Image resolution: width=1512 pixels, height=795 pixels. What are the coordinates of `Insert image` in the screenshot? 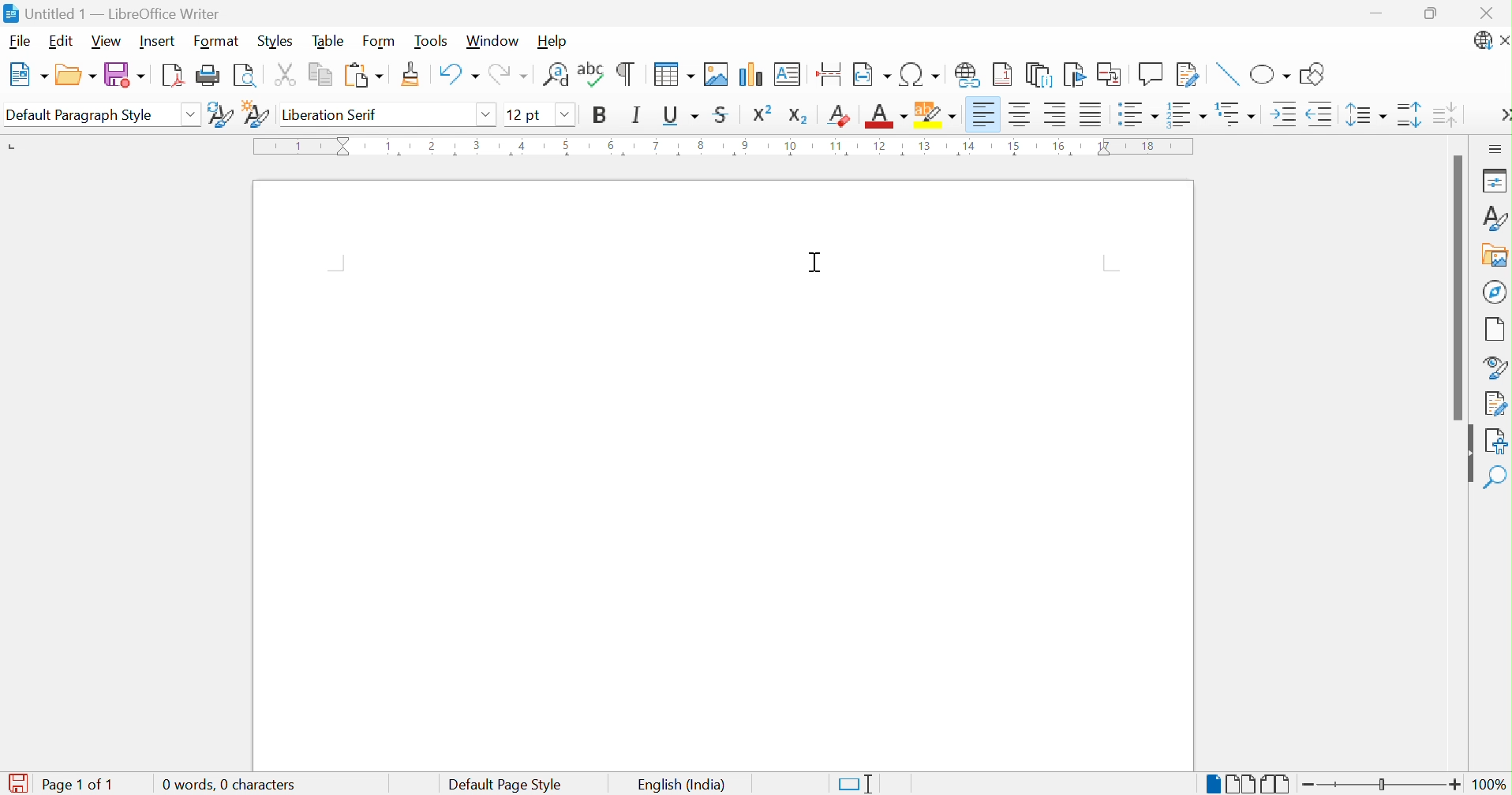 It's located at (716, 74).